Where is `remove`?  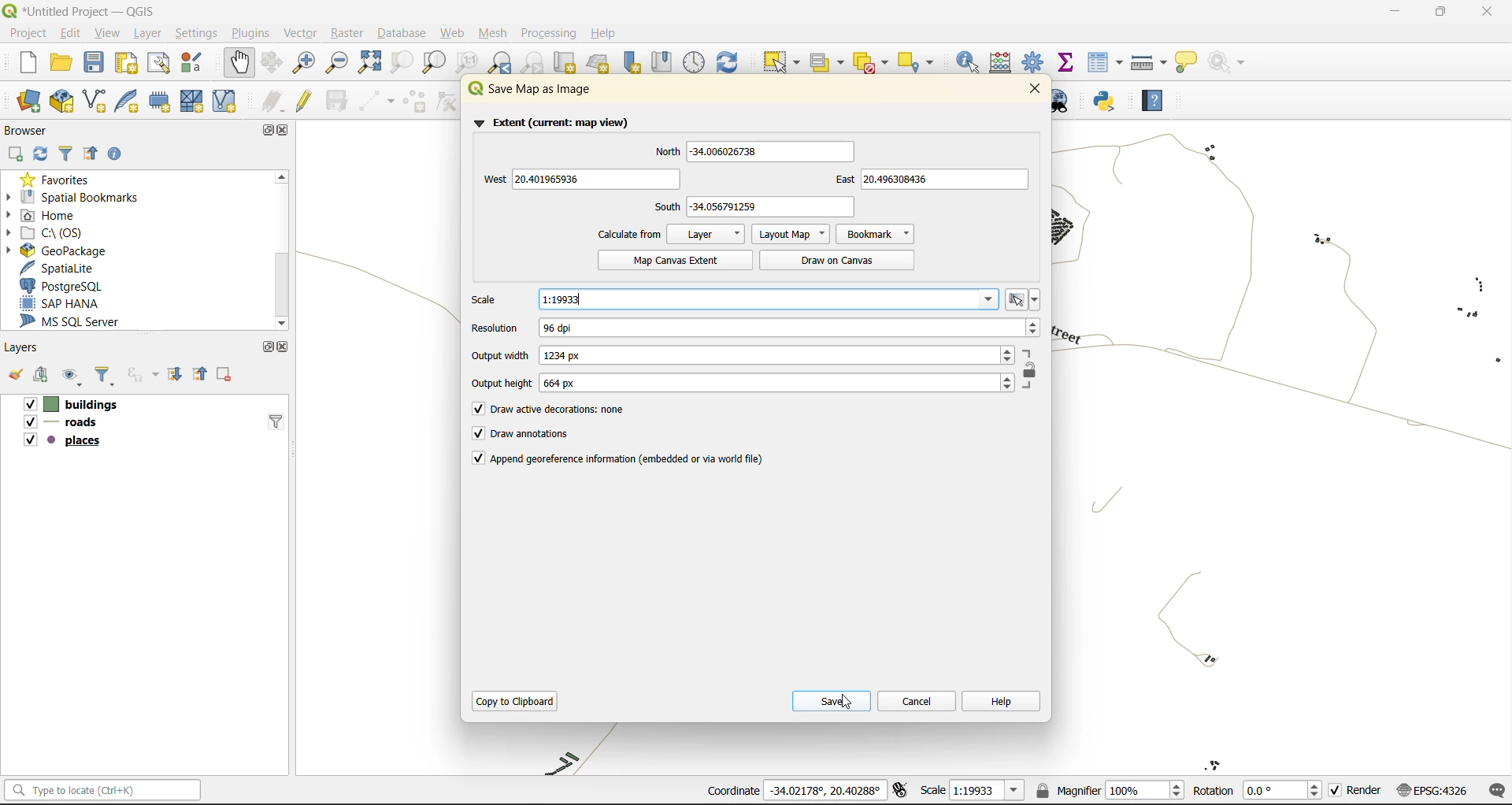
remove is located at coordinates (226, 374).